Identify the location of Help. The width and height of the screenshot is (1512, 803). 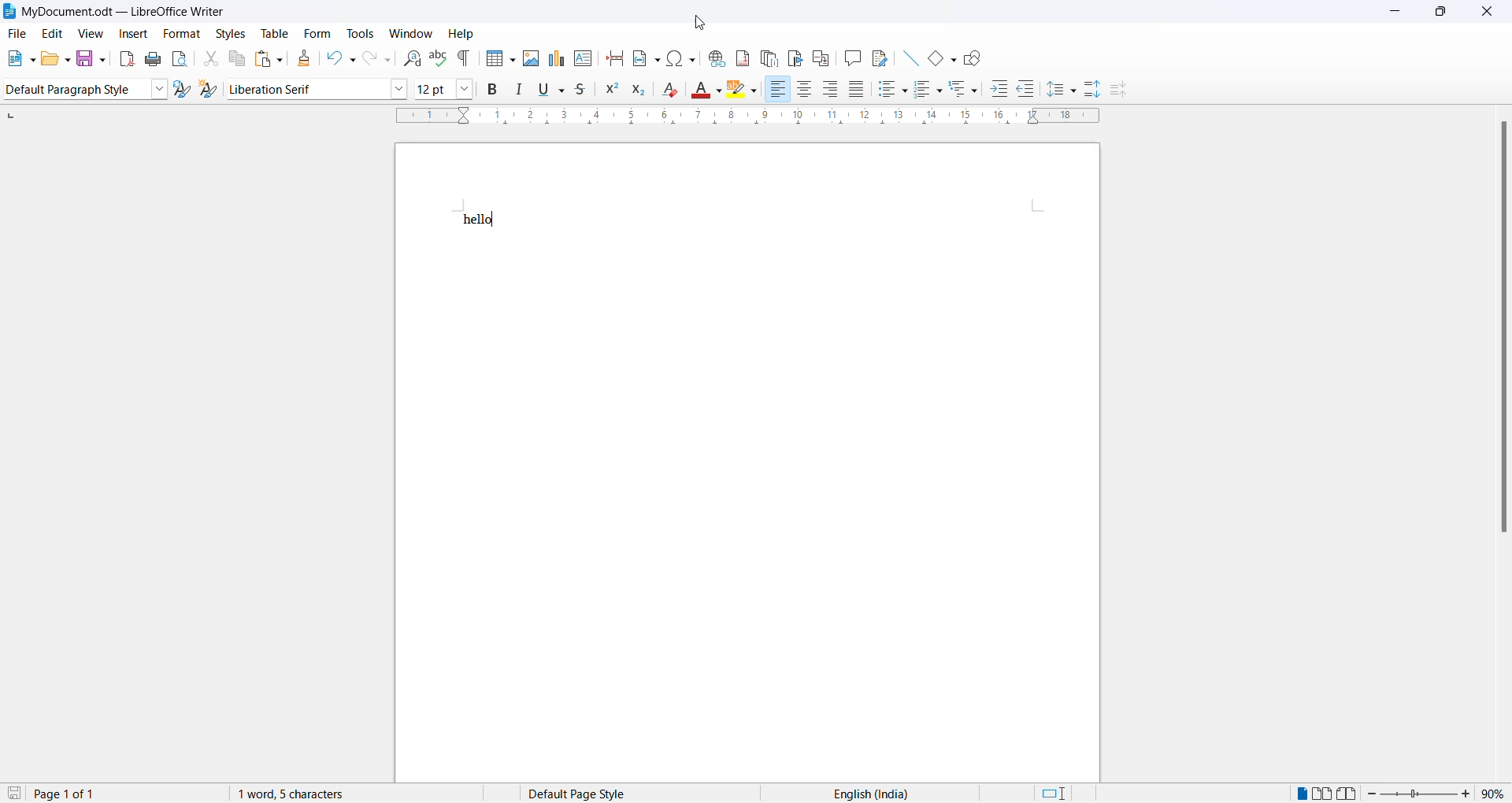
(464, 34).